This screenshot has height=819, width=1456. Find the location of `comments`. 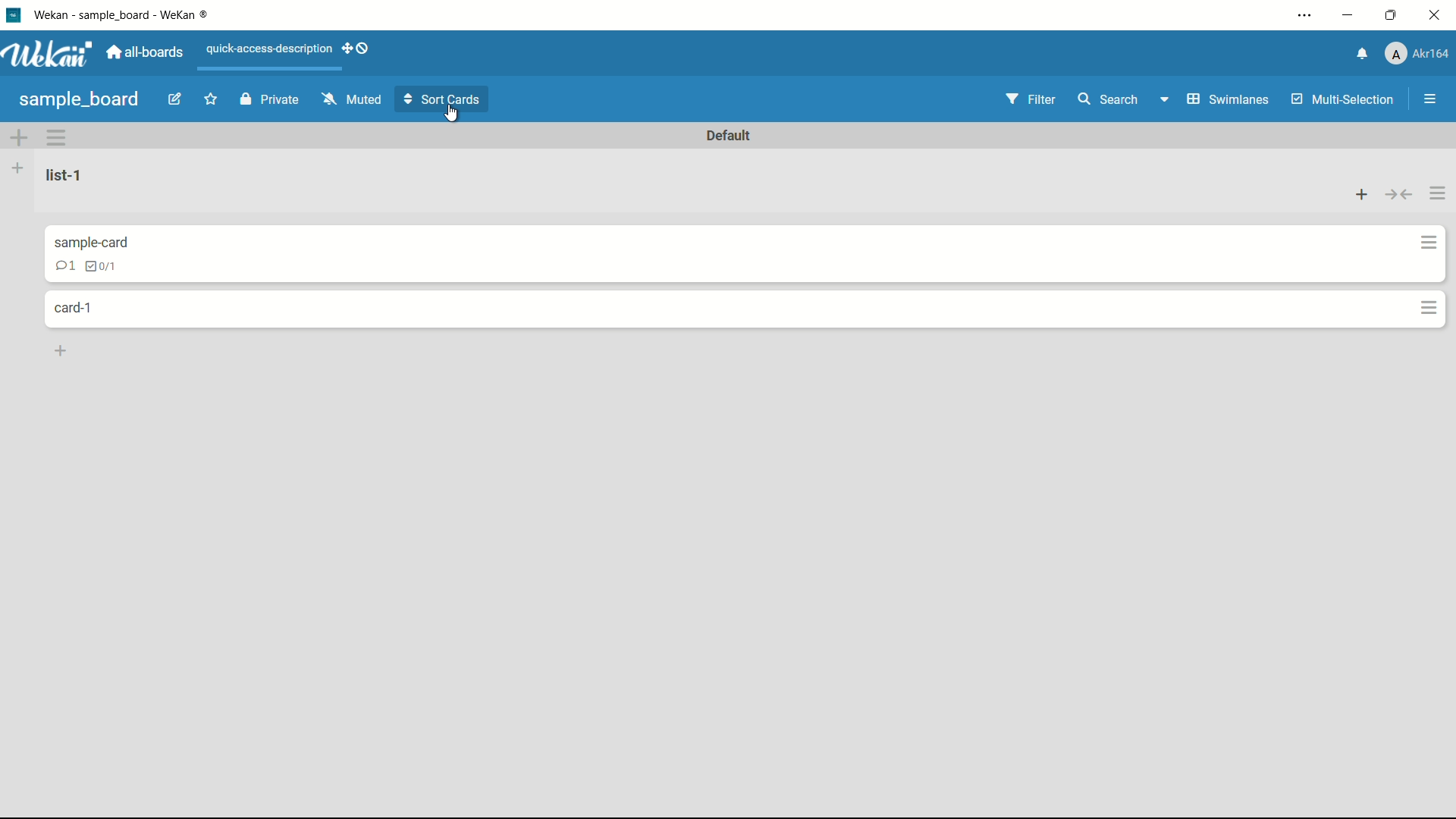

comments is located at coordinates (64, 265).